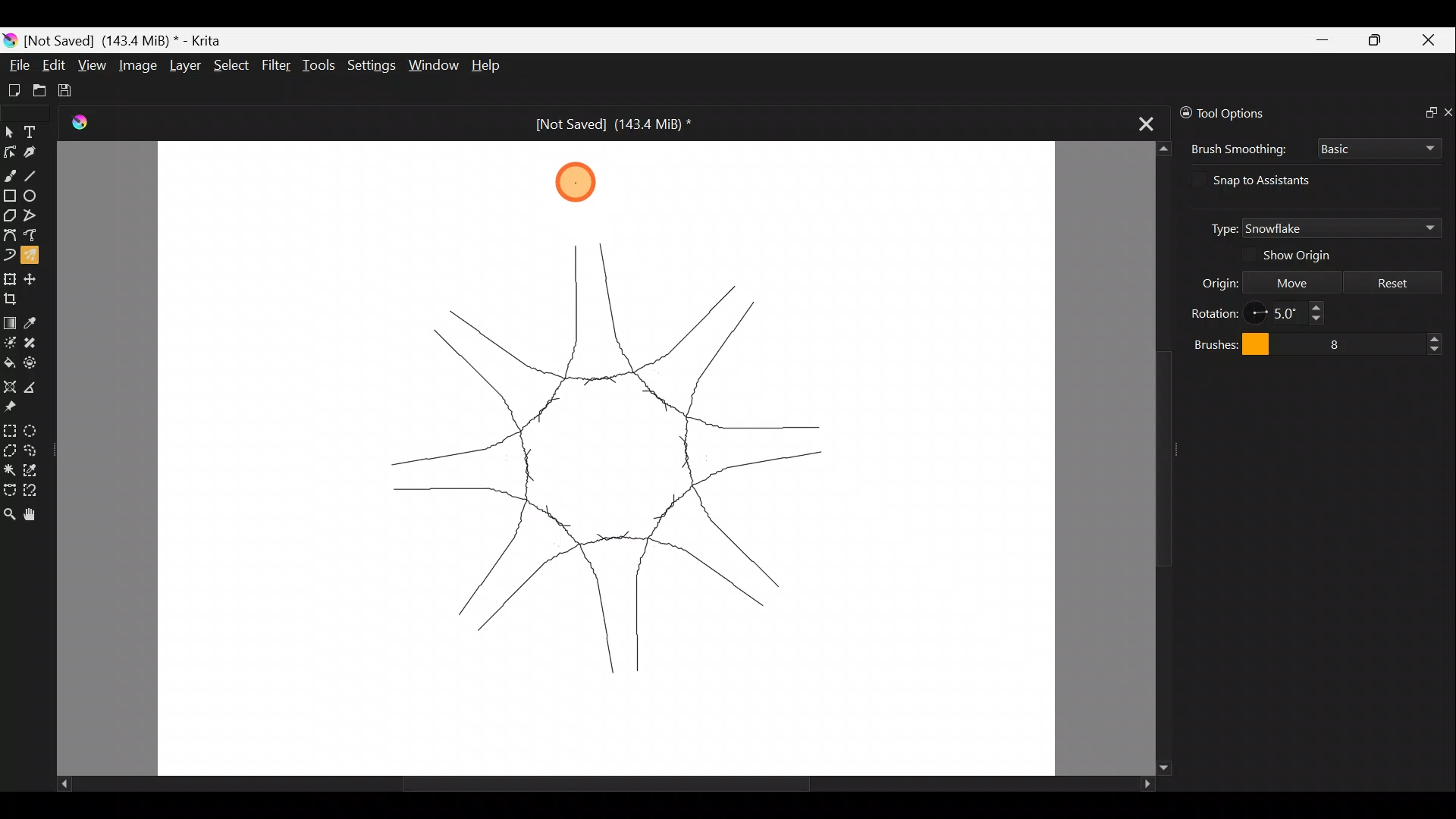 The height and width of the screenshot is (819, 1456). I want to click on Magnetic curve selection tool, so click(37, 491).